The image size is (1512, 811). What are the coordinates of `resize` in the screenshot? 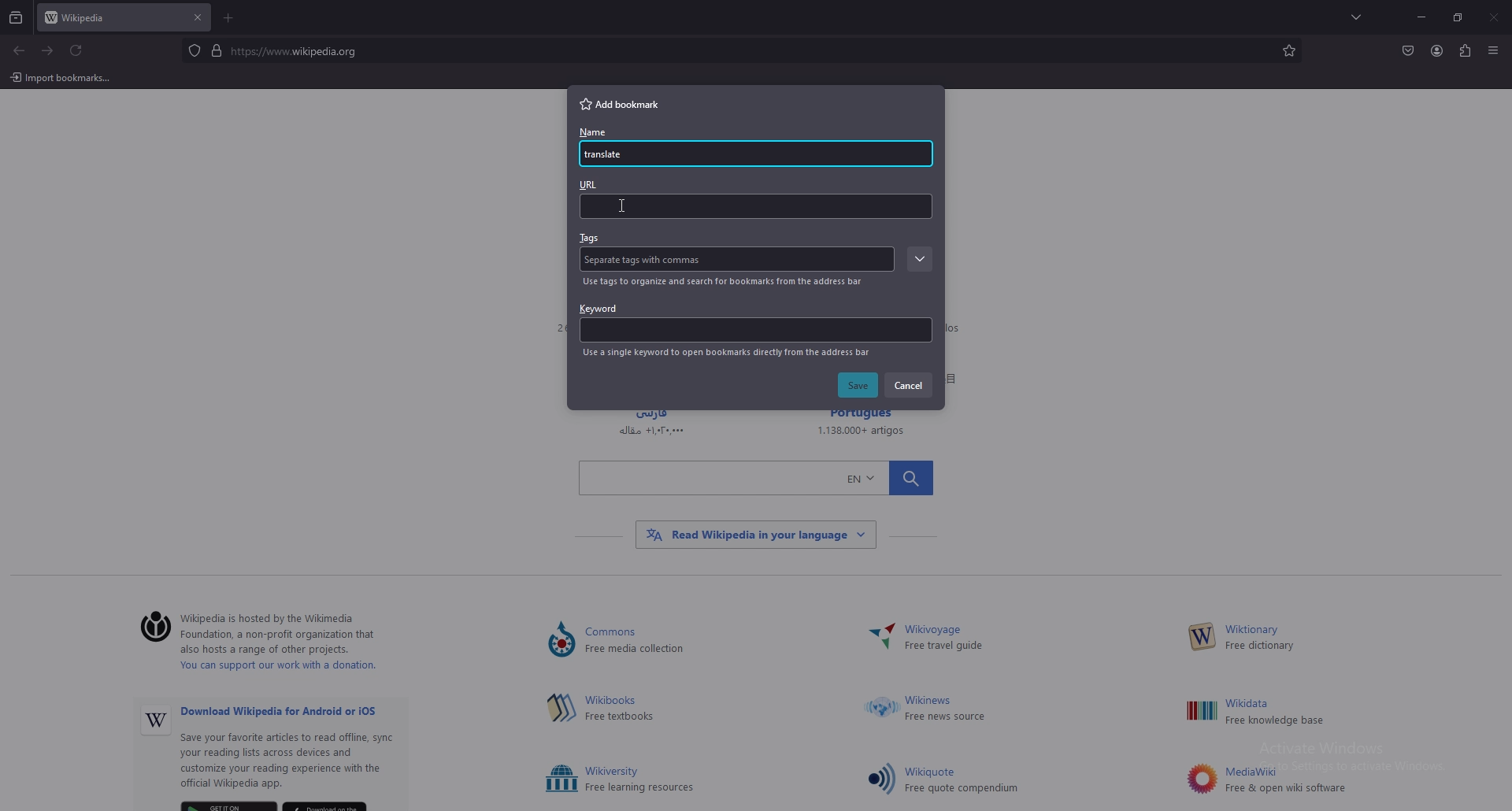 It's located at (1458, 18).